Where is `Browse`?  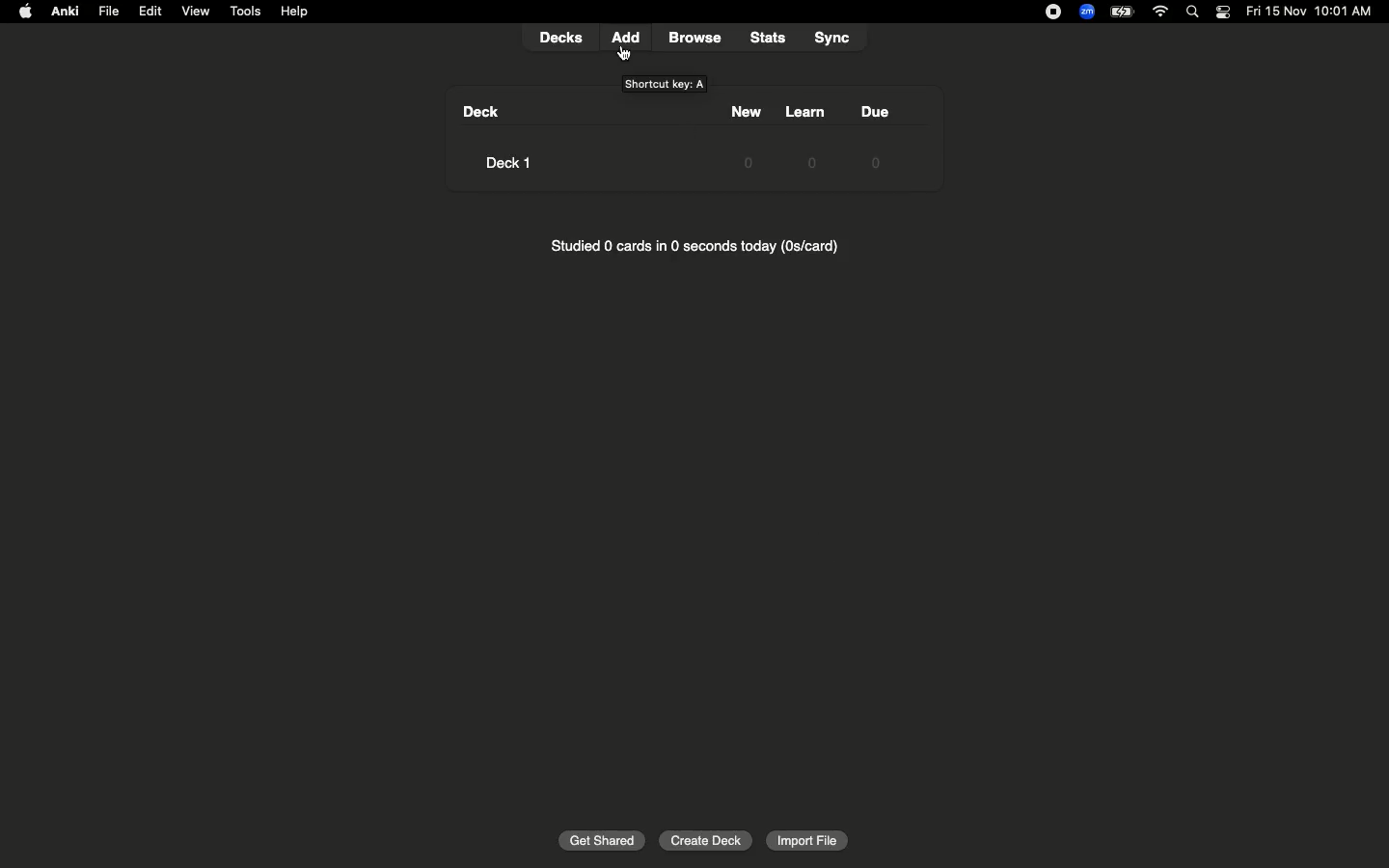 Browse is located at coordinates (701, 38).